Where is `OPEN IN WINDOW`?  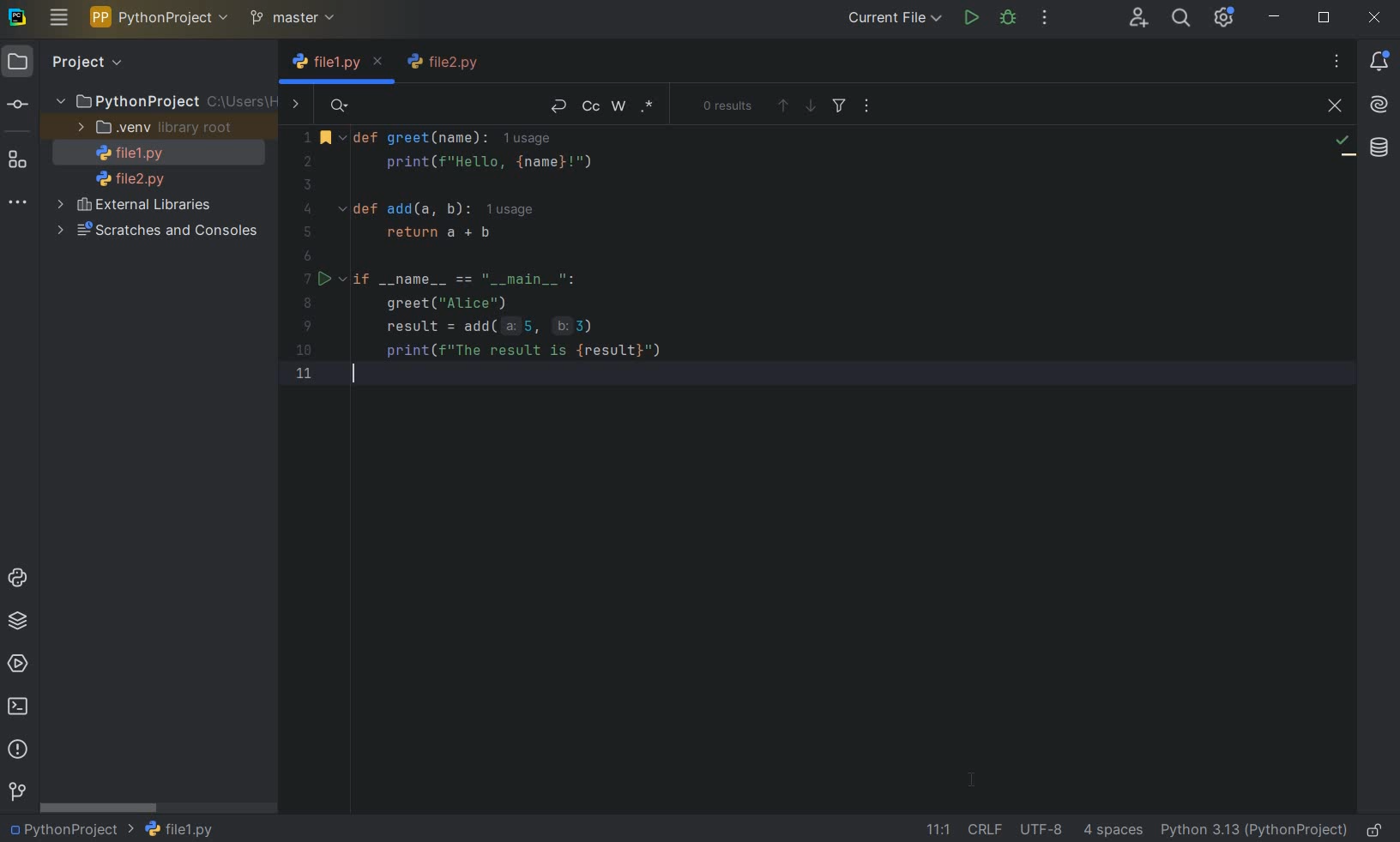 OPEN IN WINDOW is located at coordinates (866, 105).